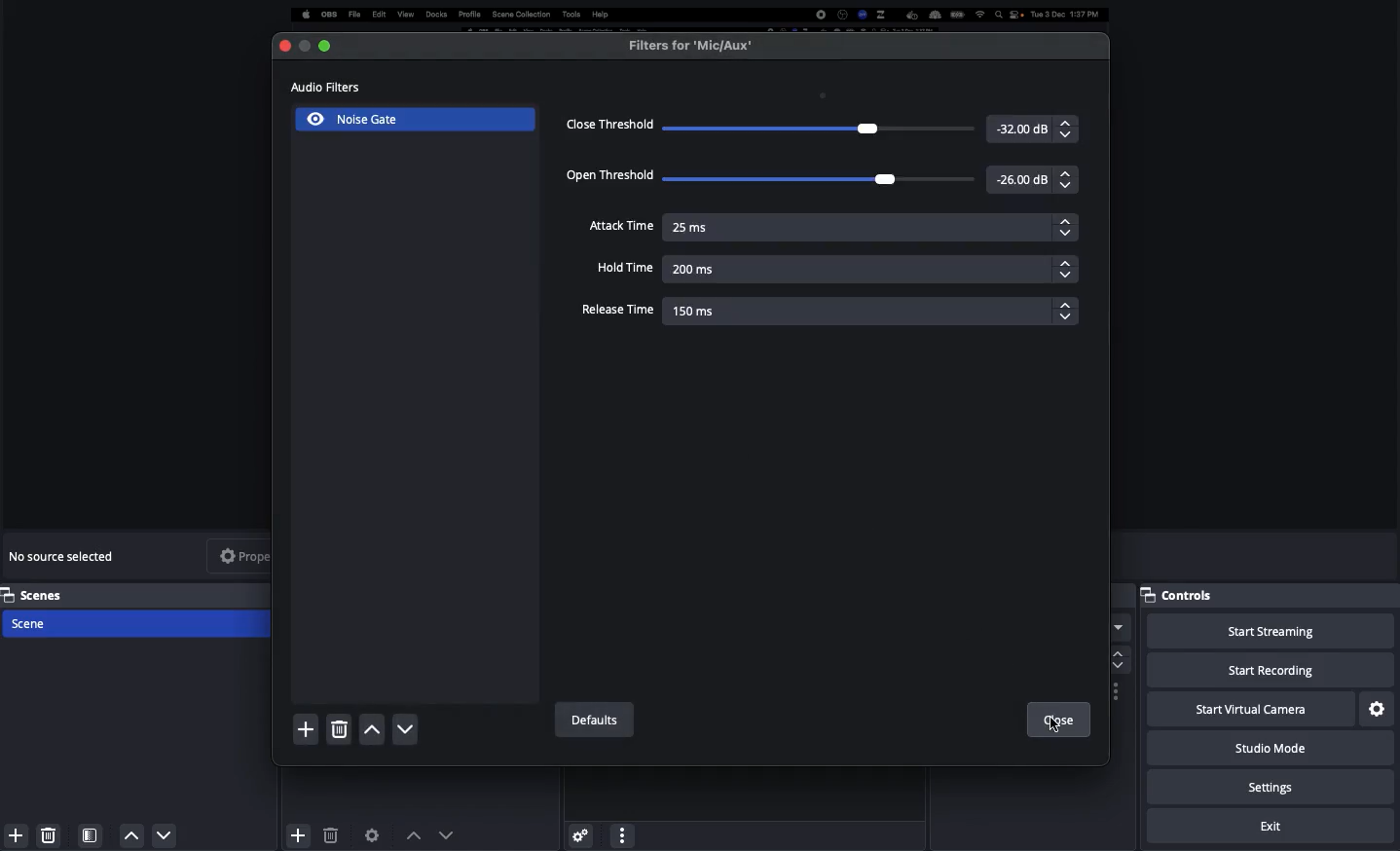  What do you see at coordinates (1117, 692) in the screenshot?
I see `Settings / options` at bounding box center [1117, 692].